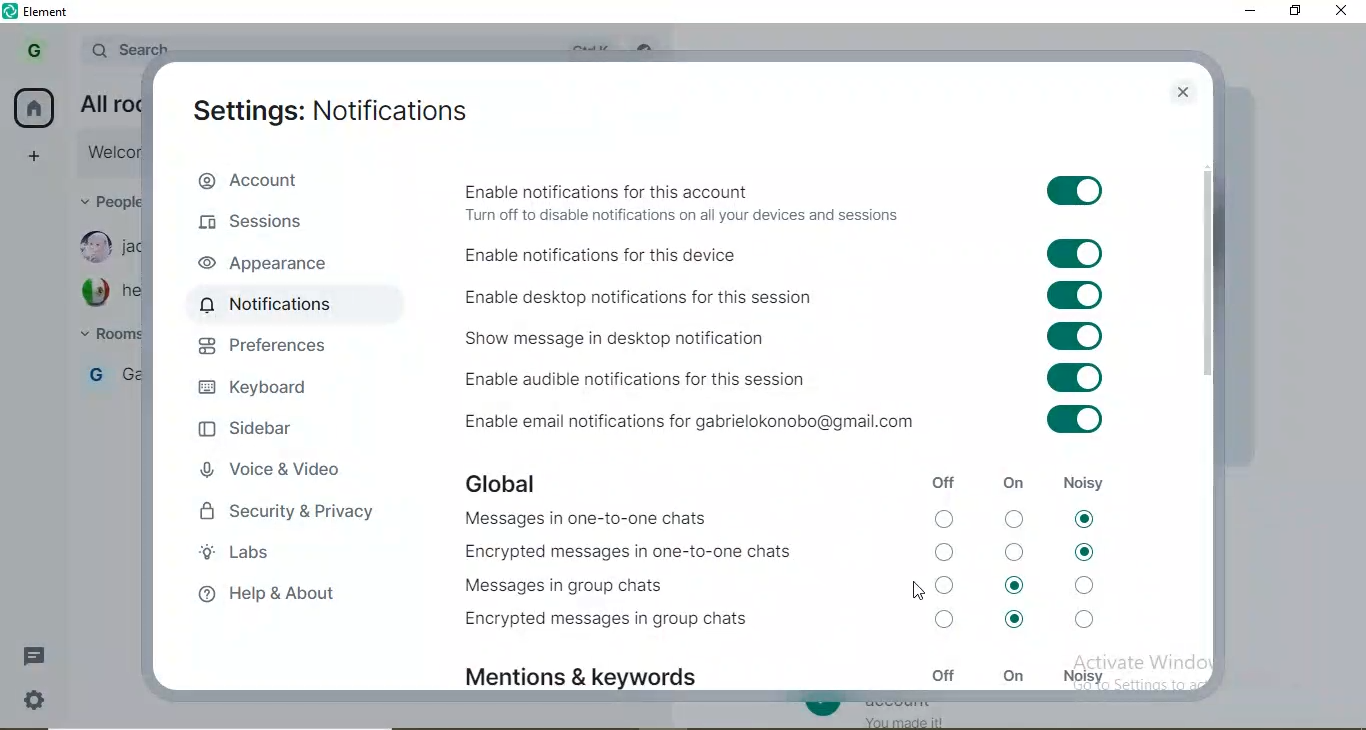  What do you see at coordinates (1296, 12) in the screenshot?
I see `restore` at bounding box center [1296, 12].